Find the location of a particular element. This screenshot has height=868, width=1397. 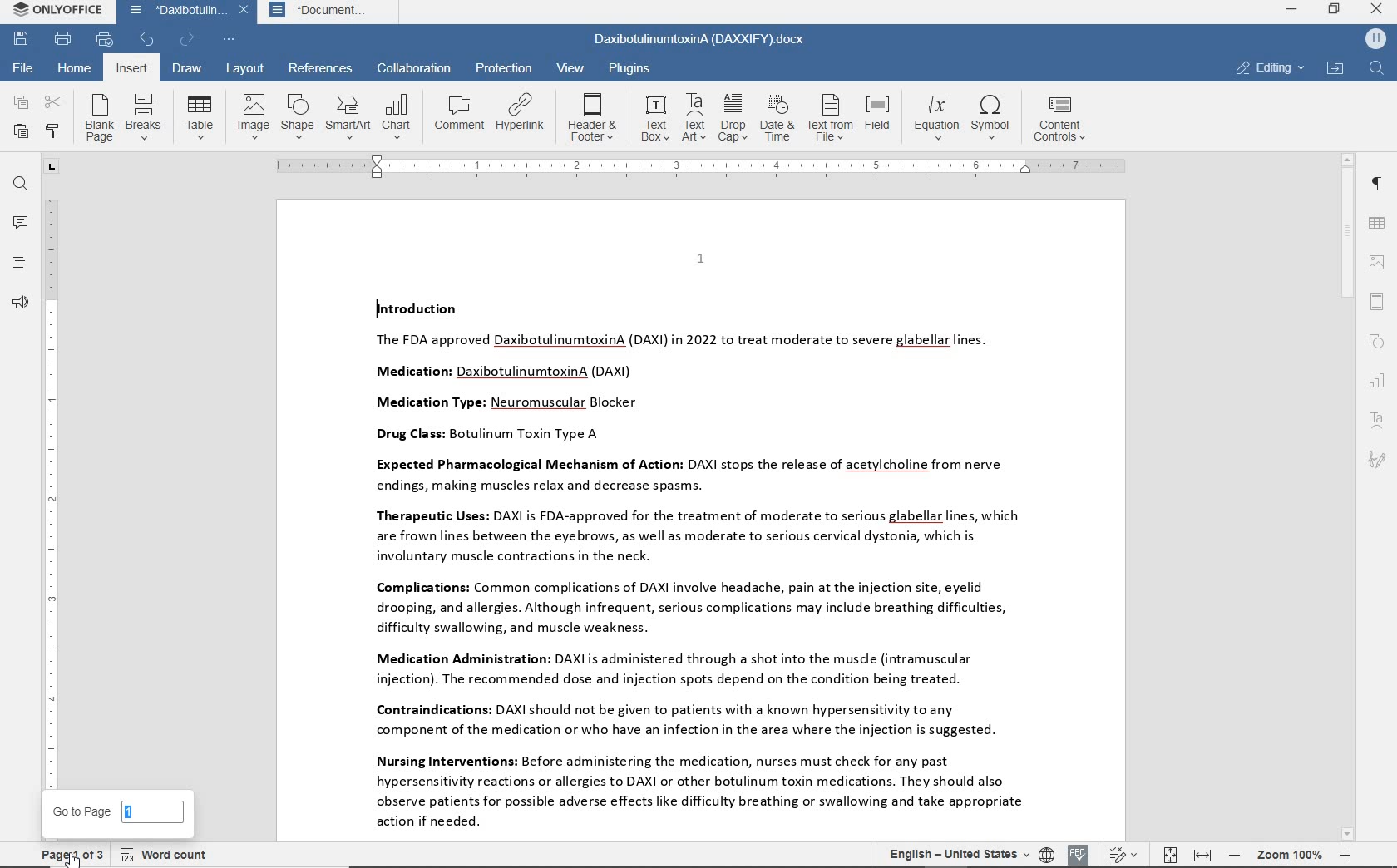

zoom 100% is located at coordinates (1289, 854).